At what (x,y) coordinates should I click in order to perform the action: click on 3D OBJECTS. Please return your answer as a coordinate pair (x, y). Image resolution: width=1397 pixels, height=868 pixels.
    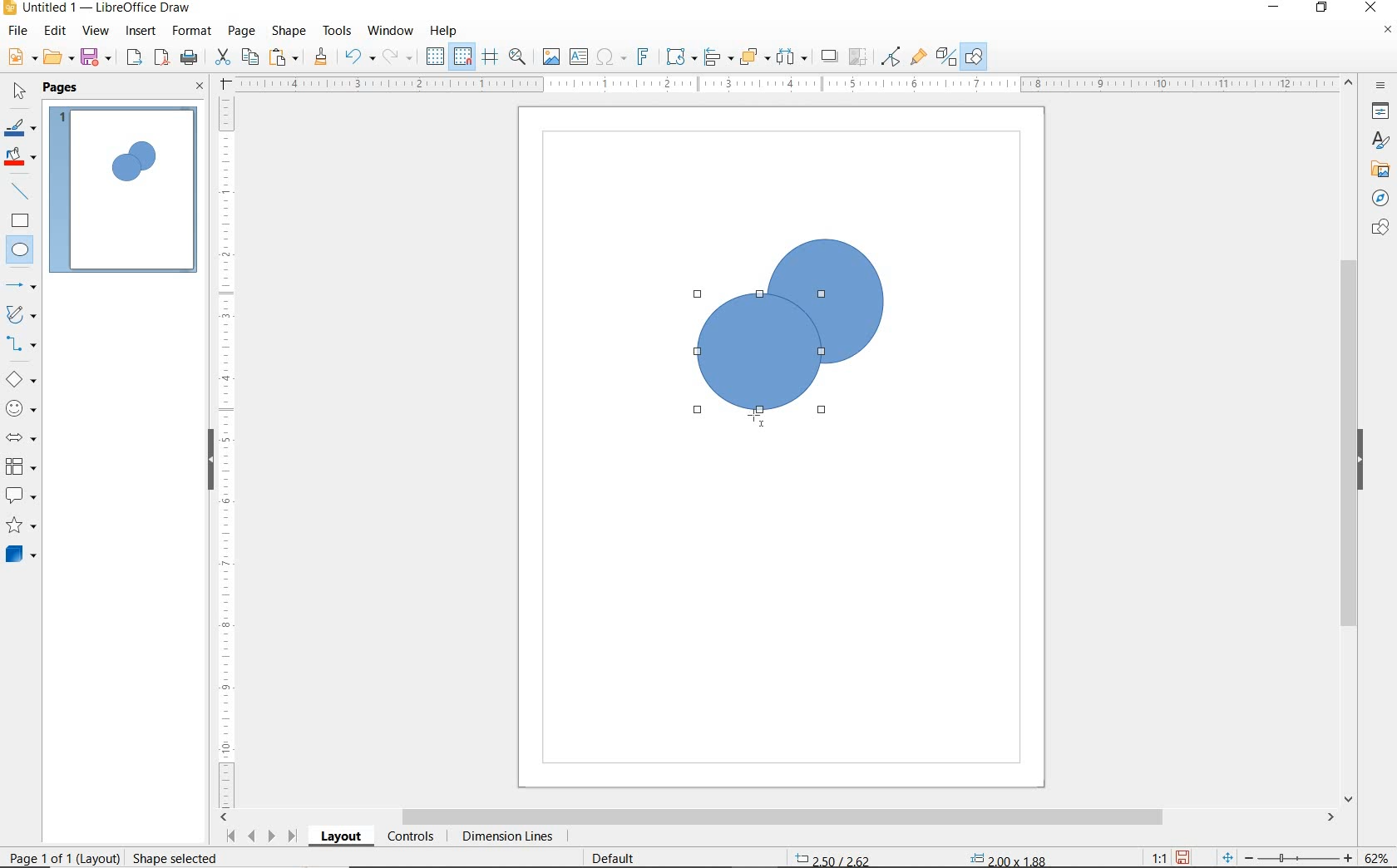
    Looking at the image, I should click on (19, 556).